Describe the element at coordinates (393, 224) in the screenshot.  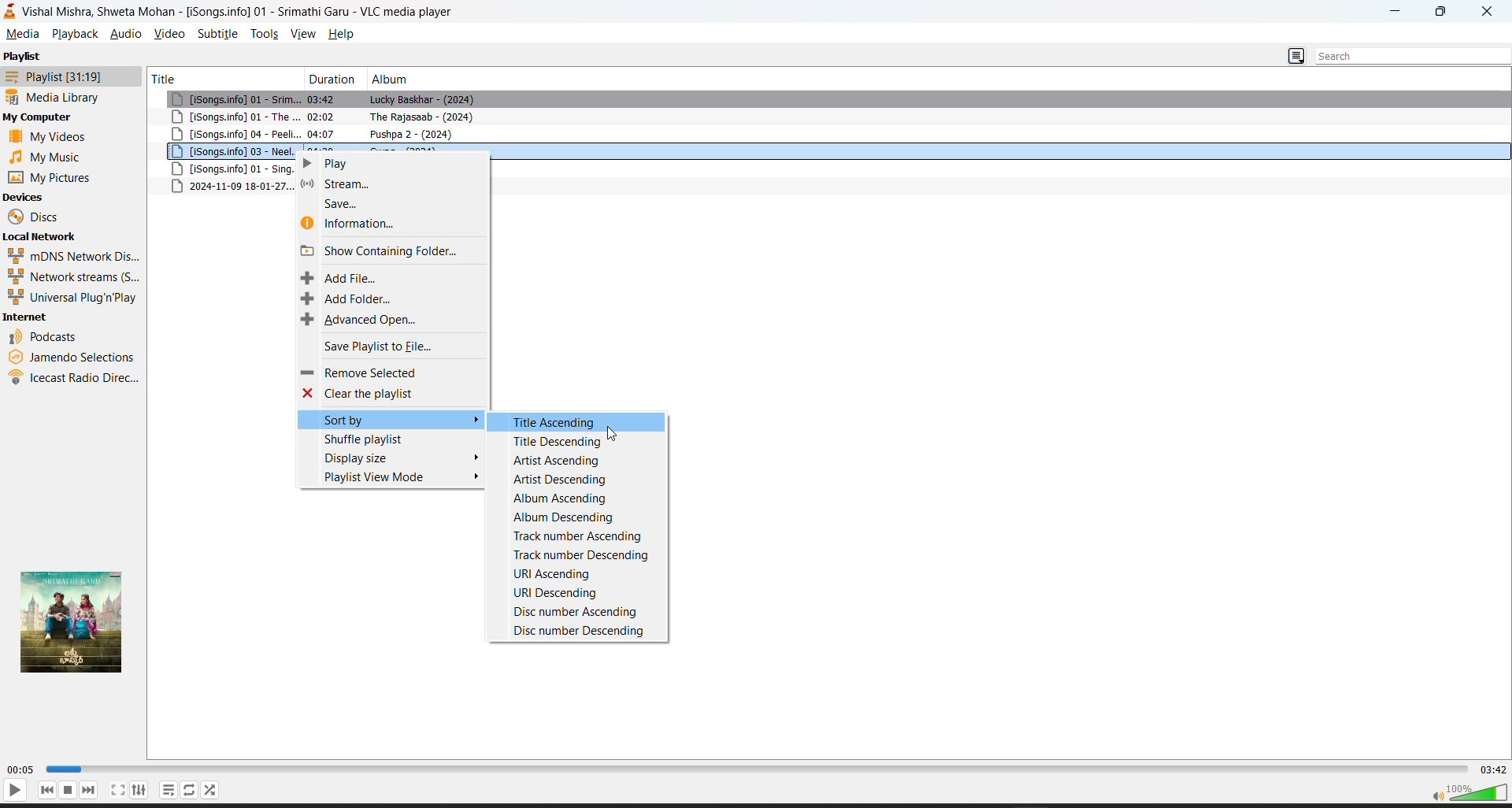
I see `information` at that location.